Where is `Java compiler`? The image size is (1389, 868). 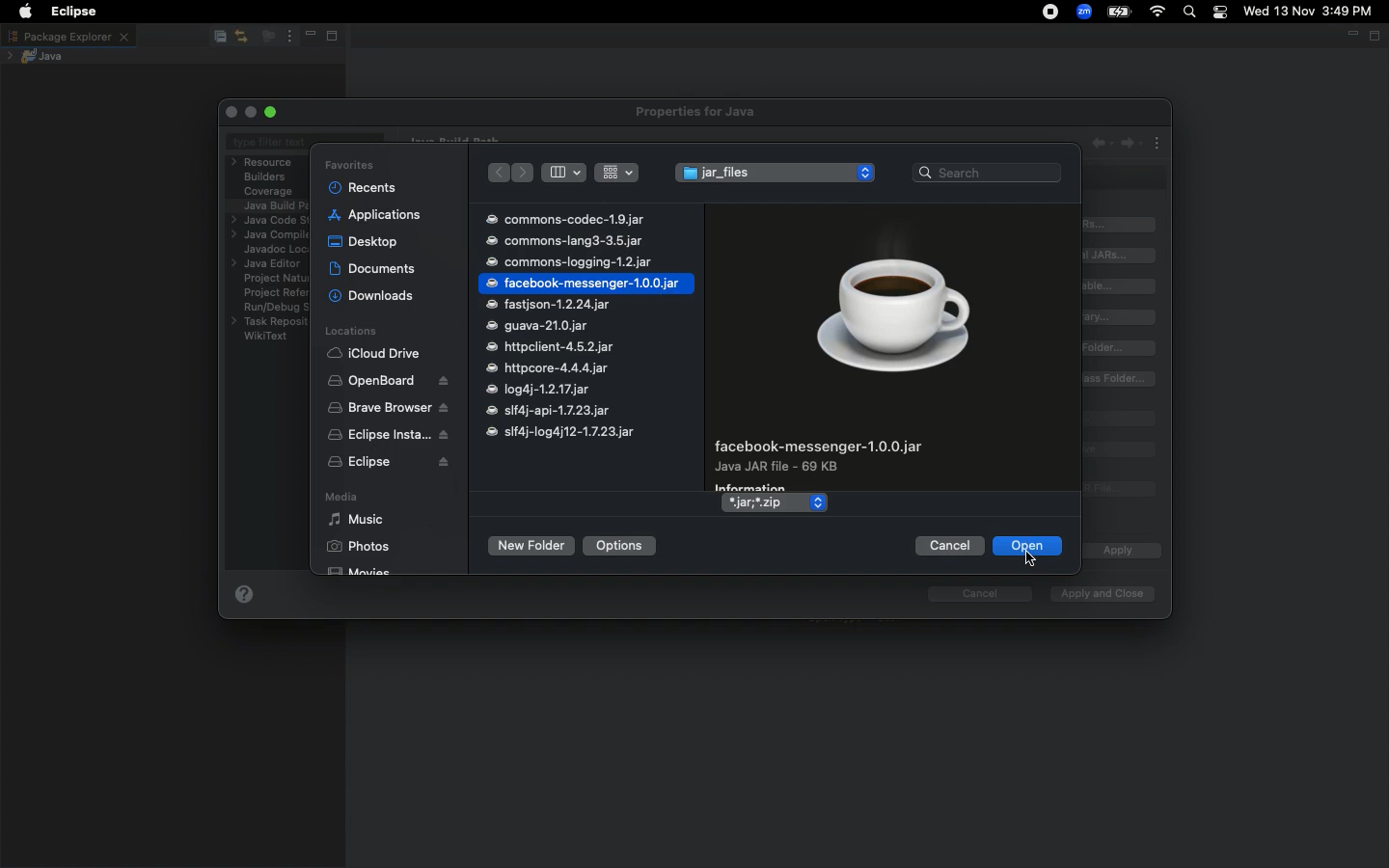 Java compiler is located at coordinates (268, 236).